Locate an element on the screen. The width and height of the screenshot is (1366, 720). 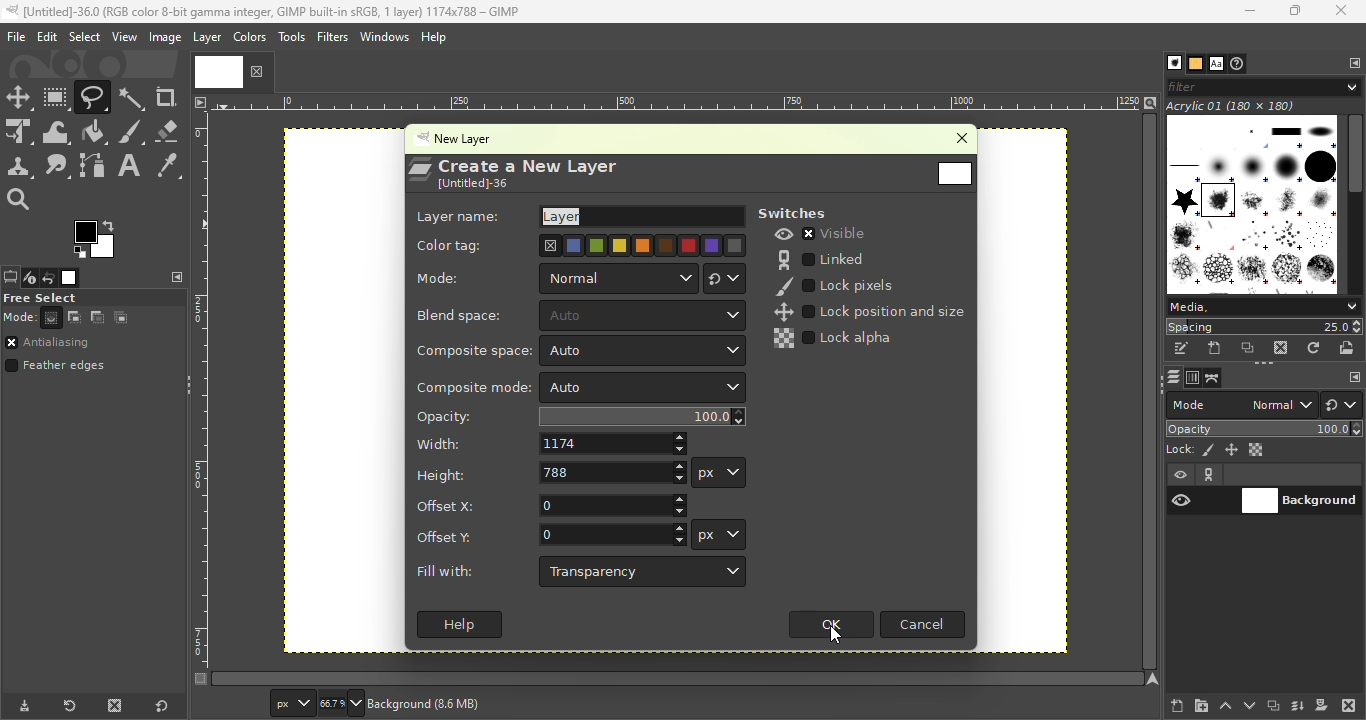
Cancel is located at coordinates (922, 624).